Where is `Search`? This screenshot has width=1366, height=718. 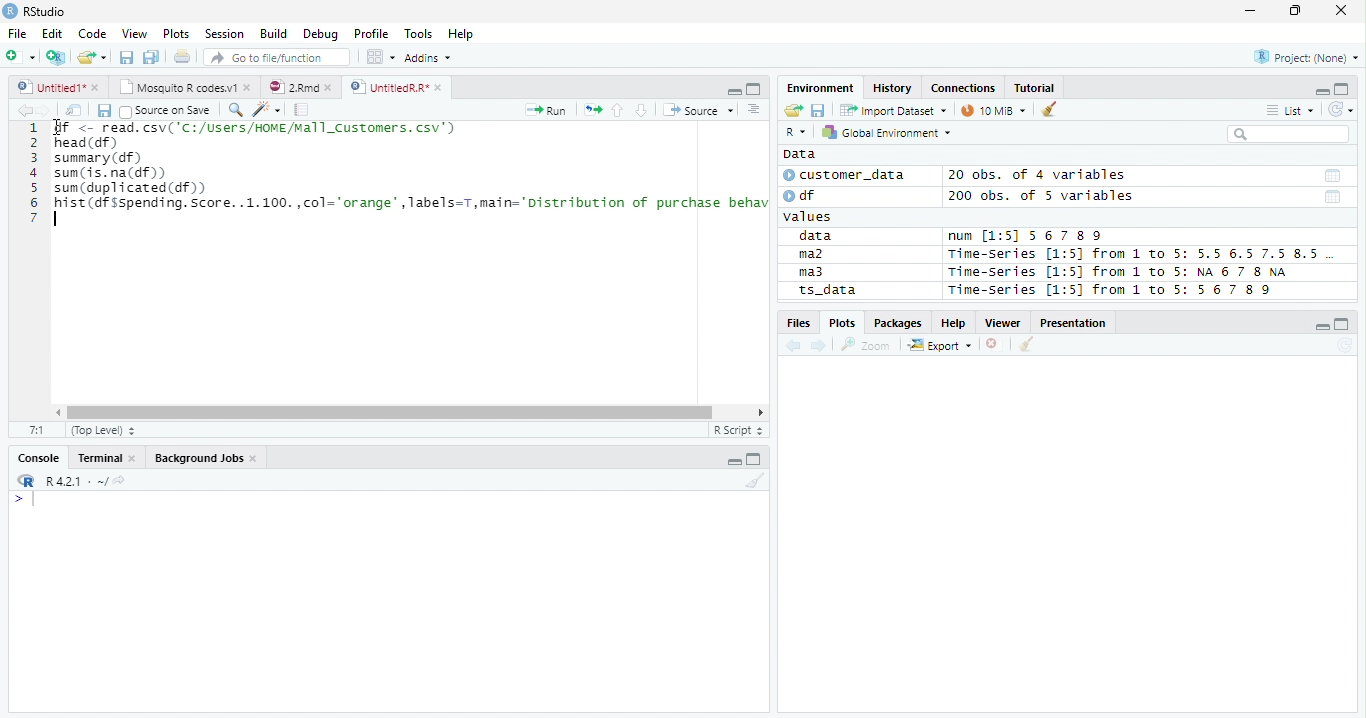
Search is located at coordinates (1286, 134).